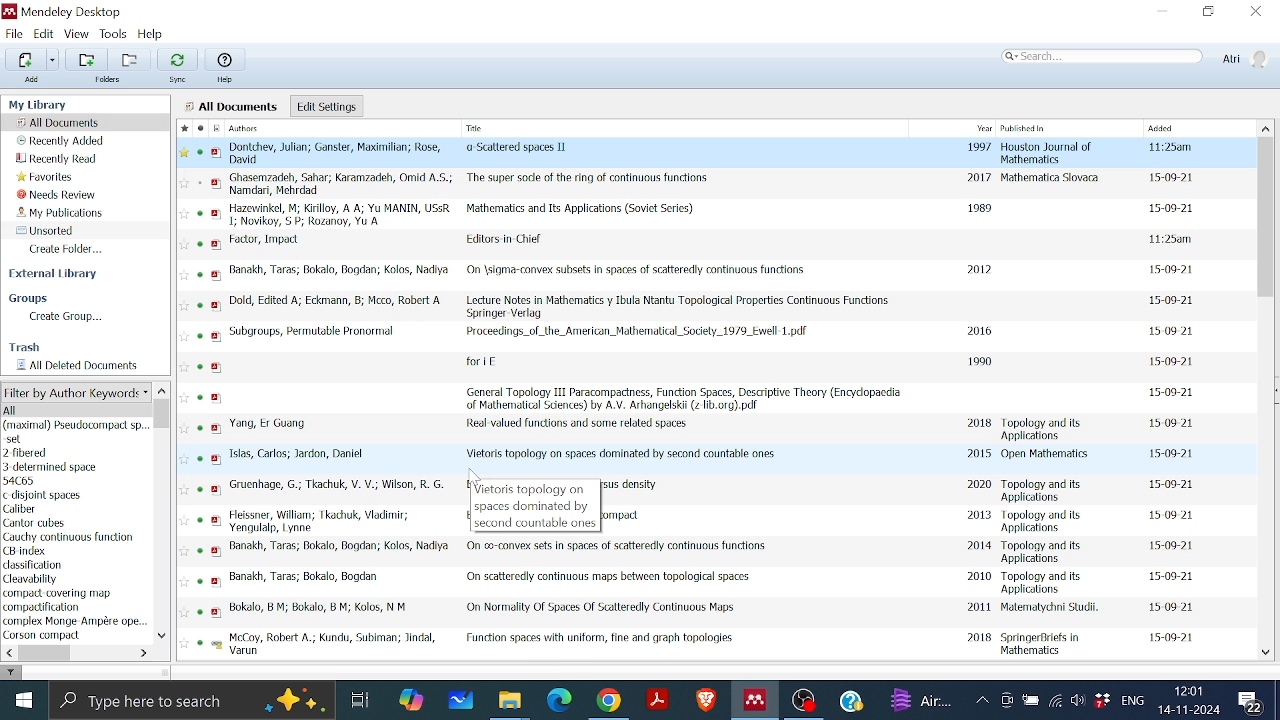 The image size is (1280, 720). I want to click on Keyword, so click(31, 480).